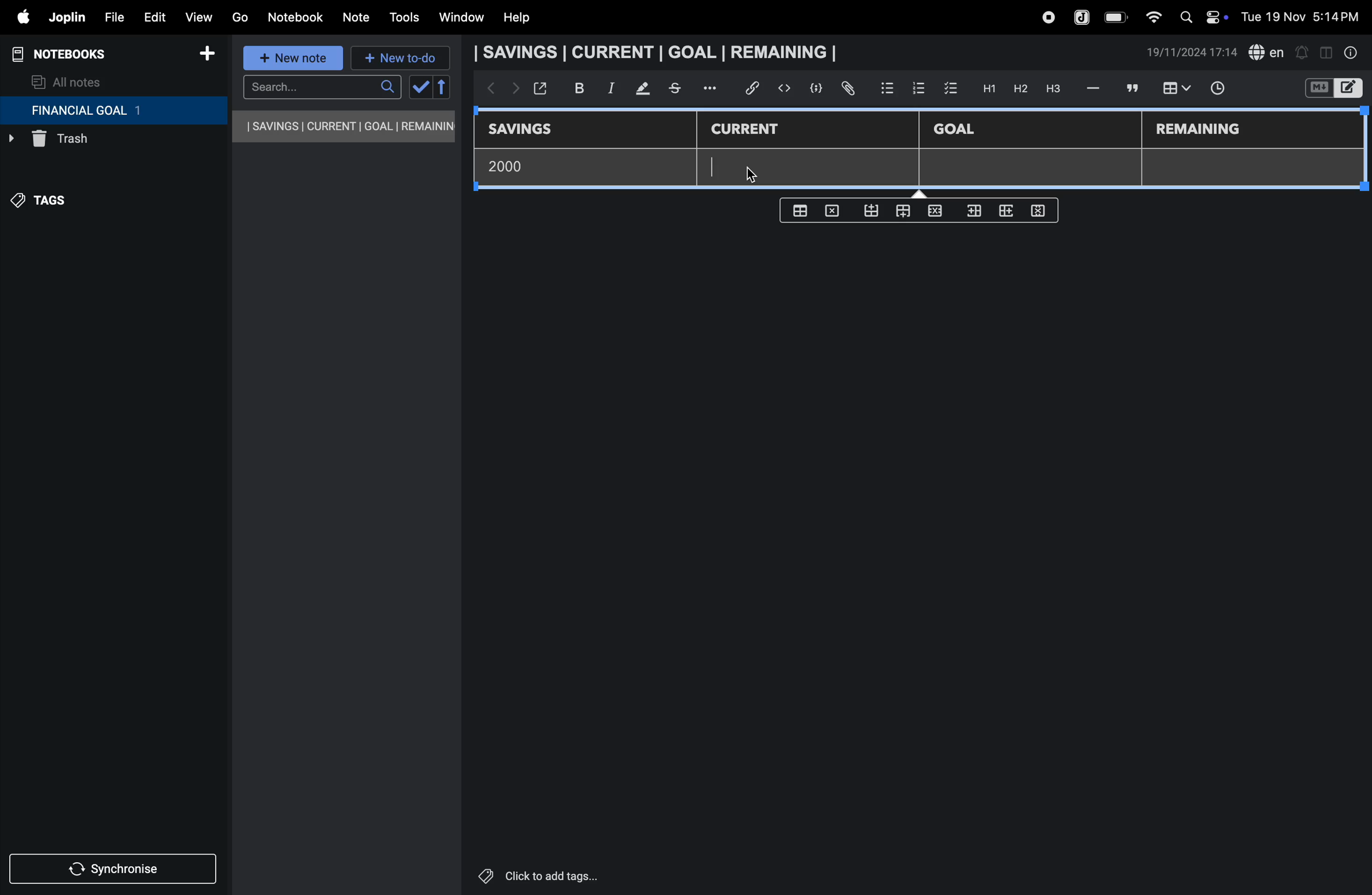 The height and width of the screenshot is (895, 1372). Describe the element at coordinates (69, 54) in the screenshot. I see `notebooks` at that location.